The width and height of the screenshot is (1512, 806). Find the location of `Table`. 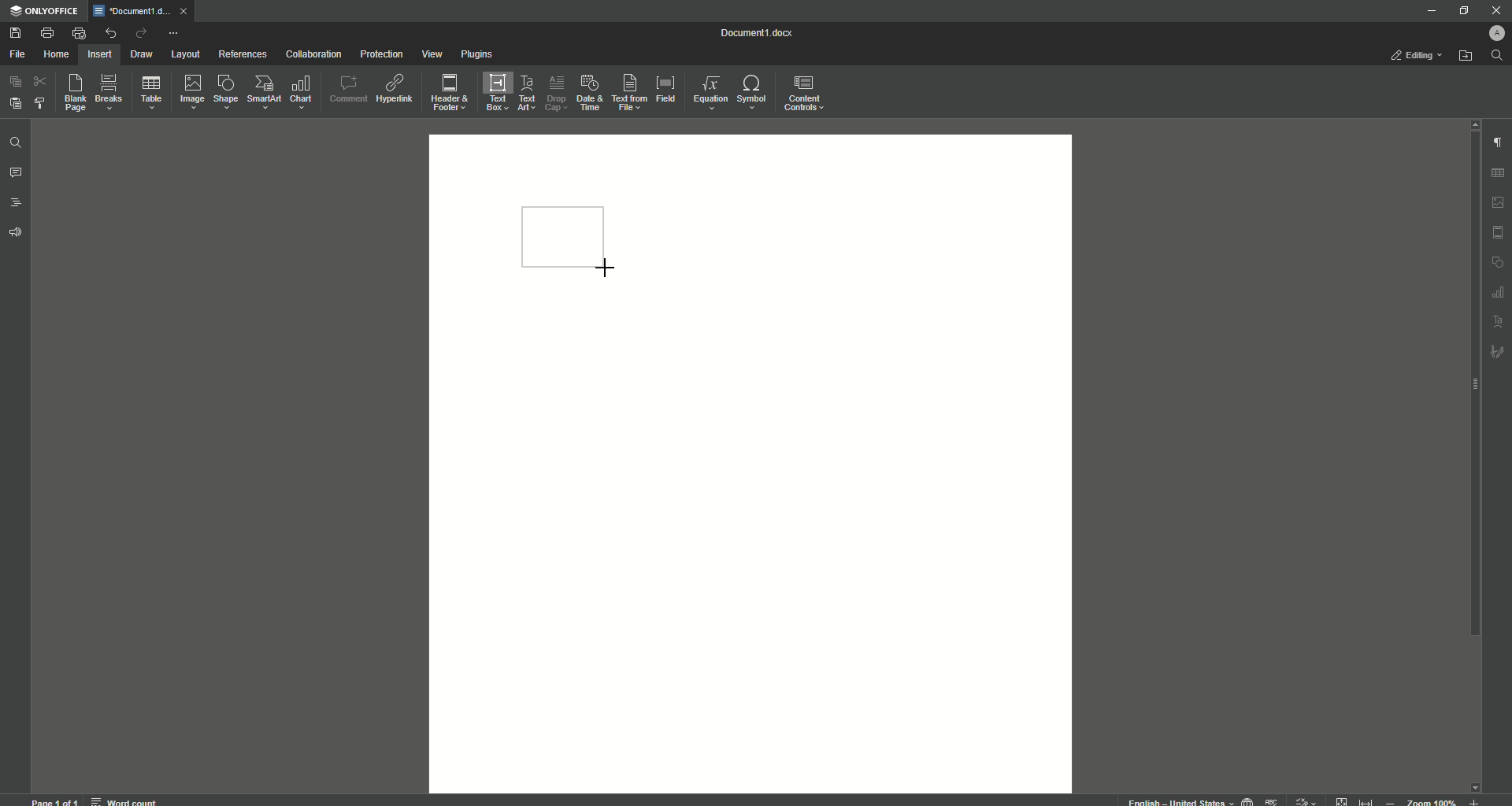

Table is located at coordinates (151, 95).